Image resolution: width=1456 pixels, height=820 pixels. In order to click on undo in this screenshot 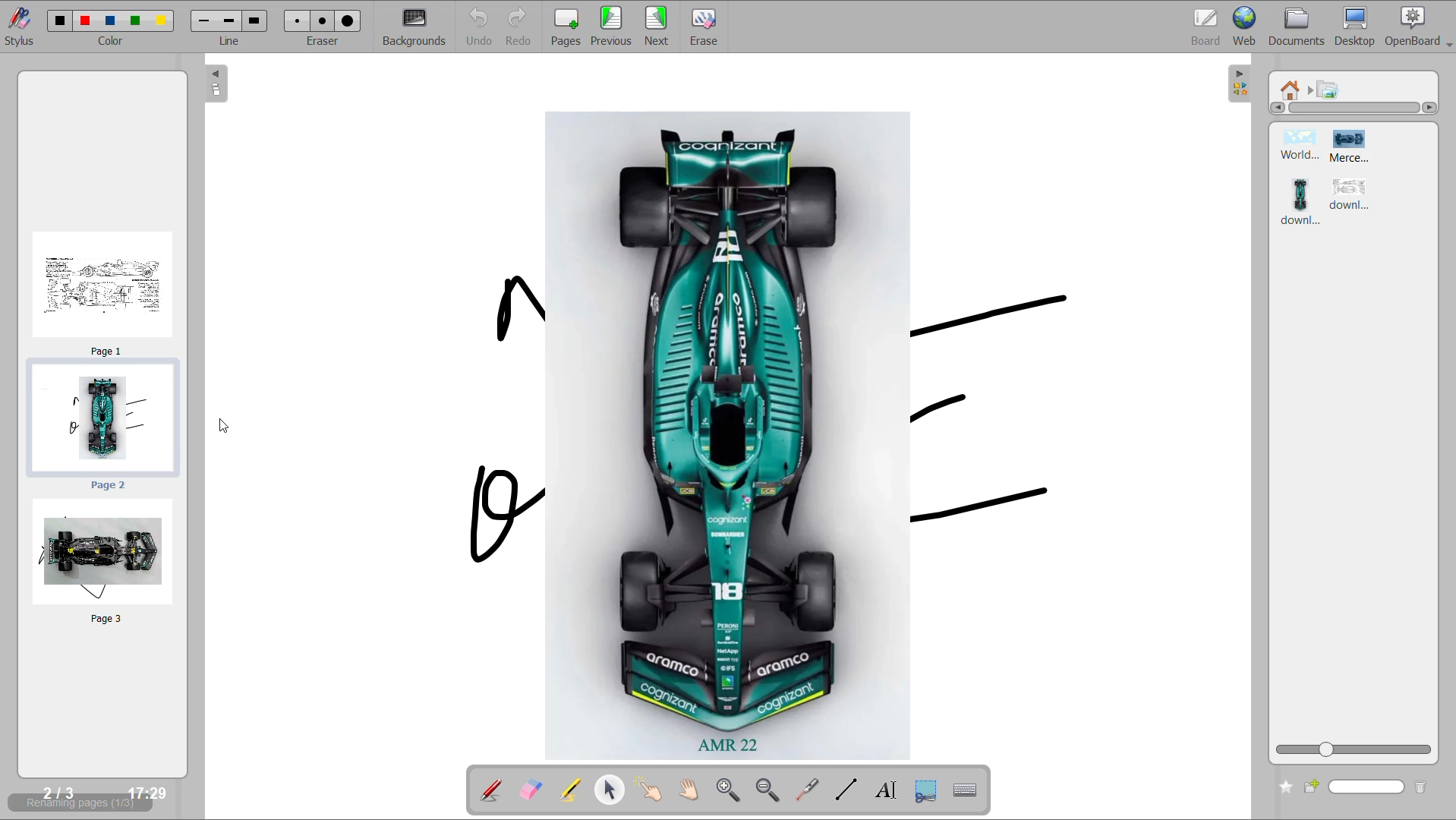, I will do `click(474, 27)`.